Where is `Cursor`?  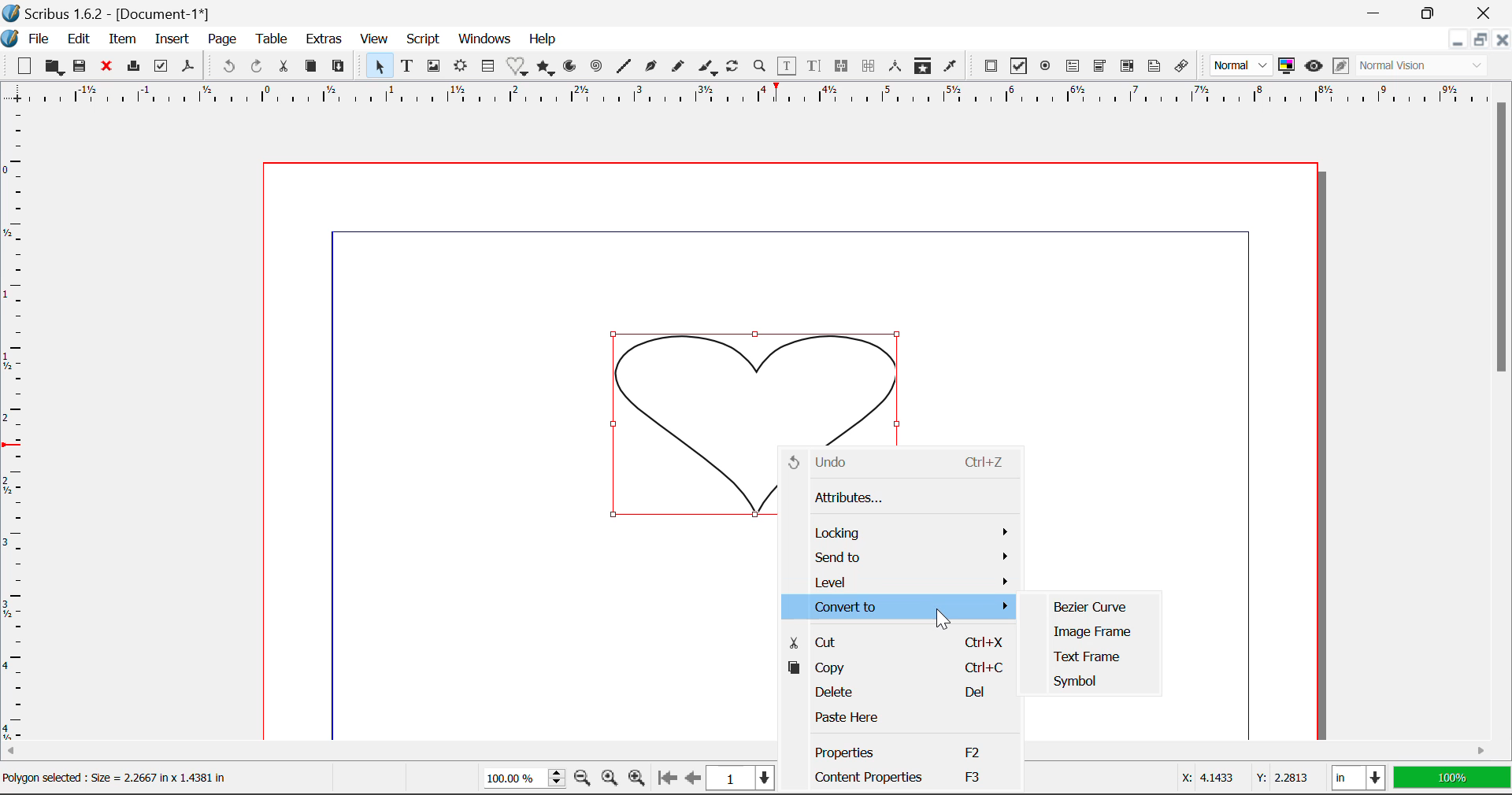 Cursor is located at coordinates (943, 617).